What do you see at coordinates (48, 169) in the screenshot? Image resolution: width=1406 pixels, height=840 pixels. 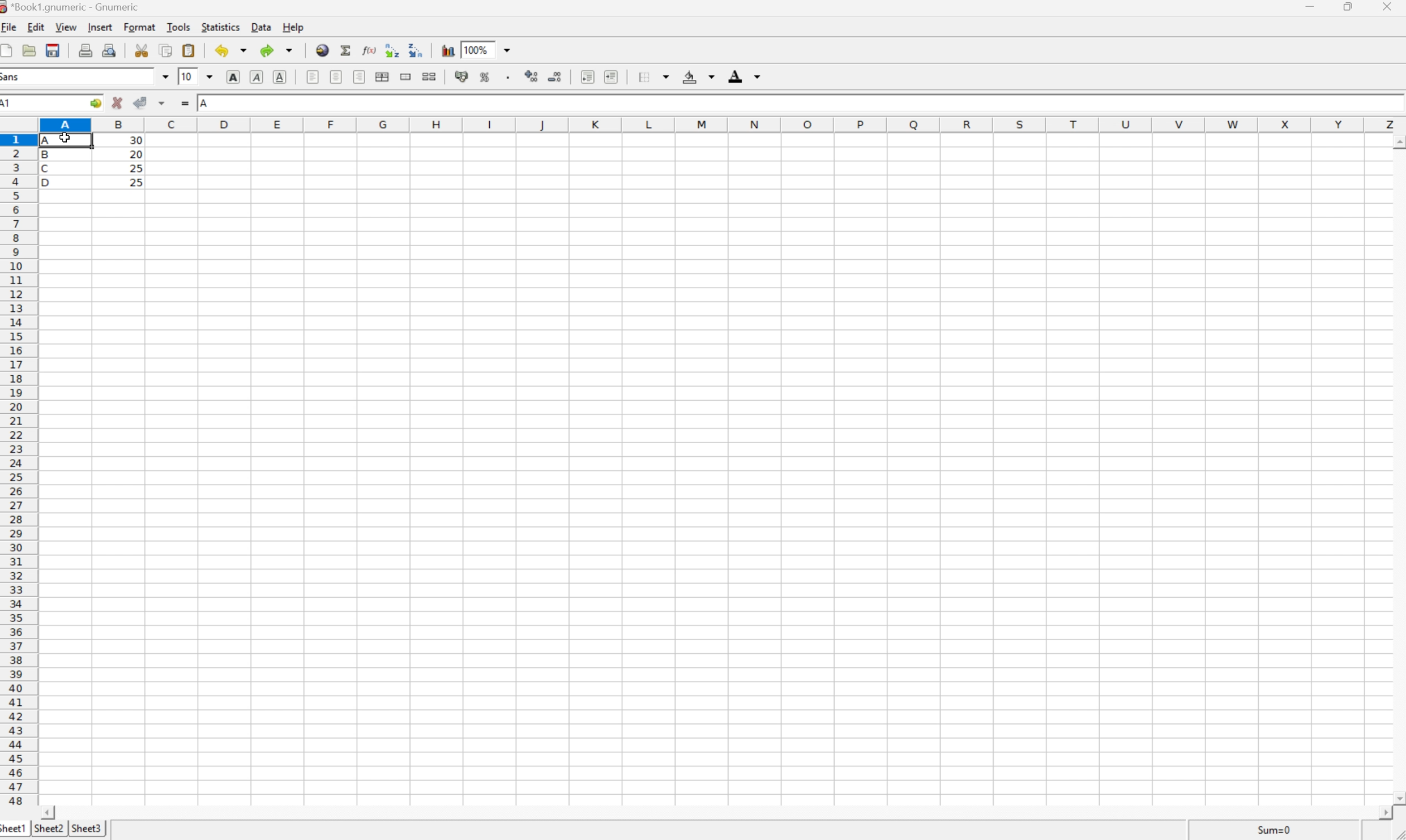 I see `C` at bounding box center [48, 169].